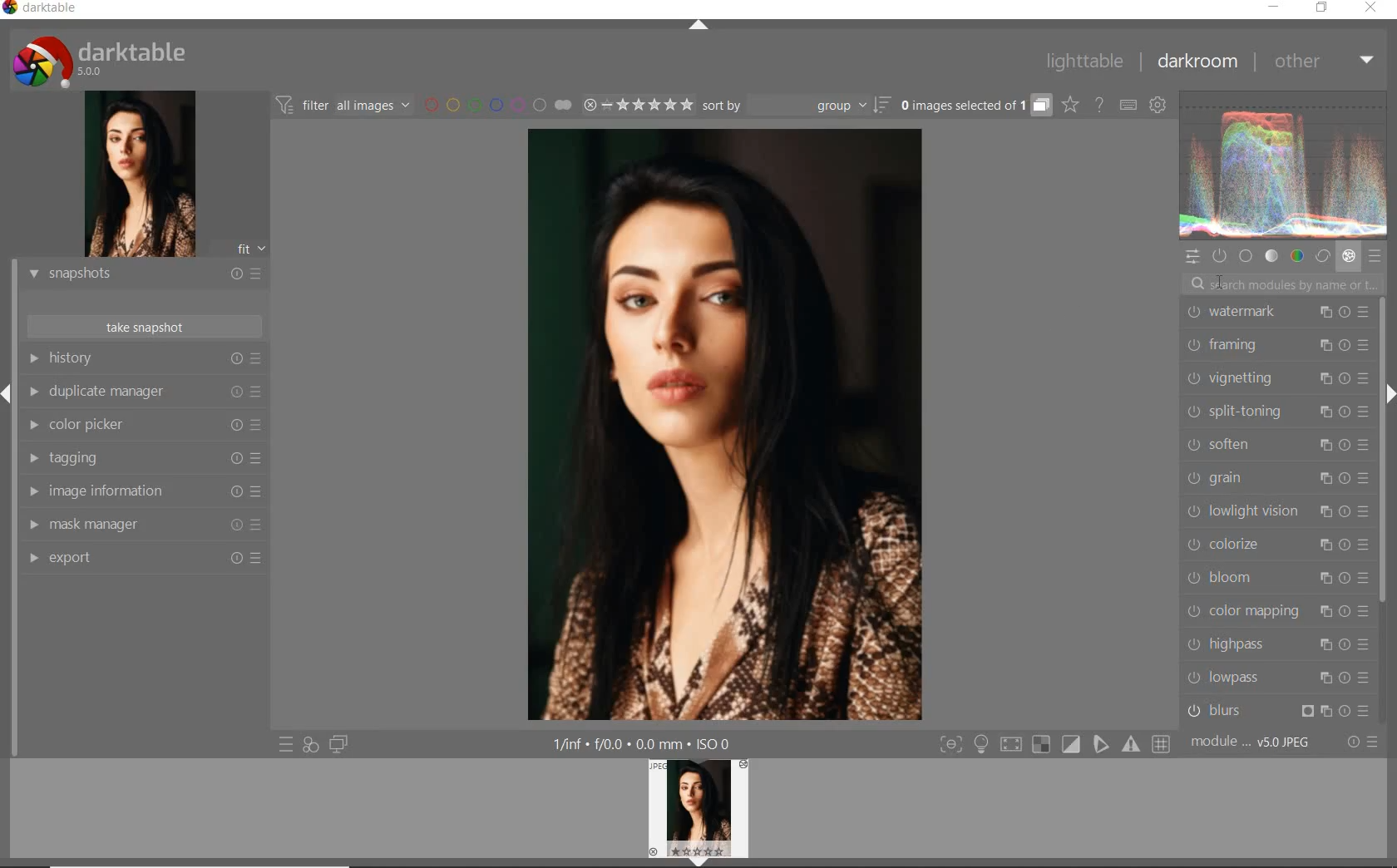 This screenshot has height=868, width=1397. I want to click on show global preferences, so click(1159, 104).